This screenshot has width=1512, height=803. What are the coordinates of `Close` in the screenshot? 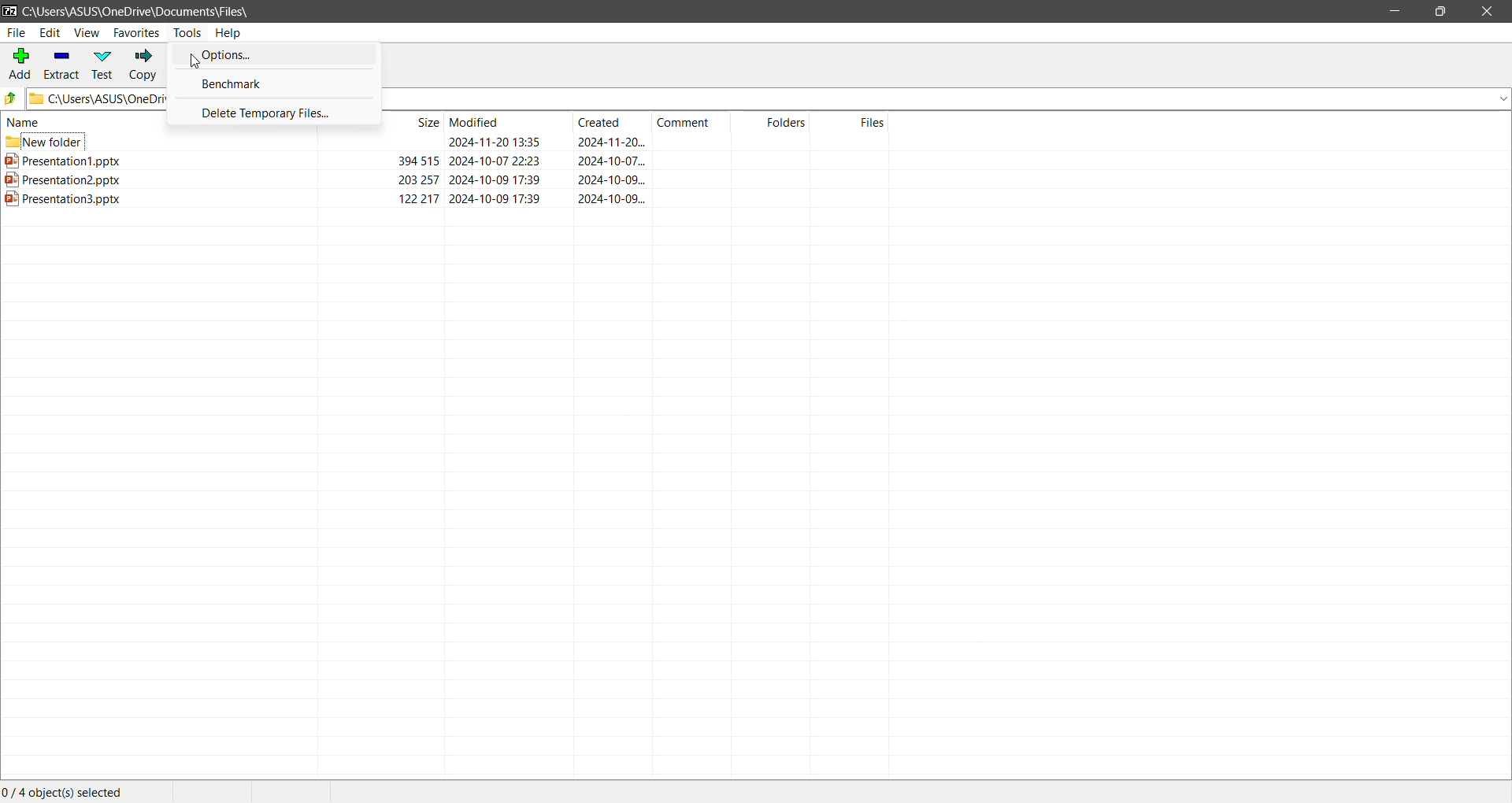 It's located at (1485, 12).